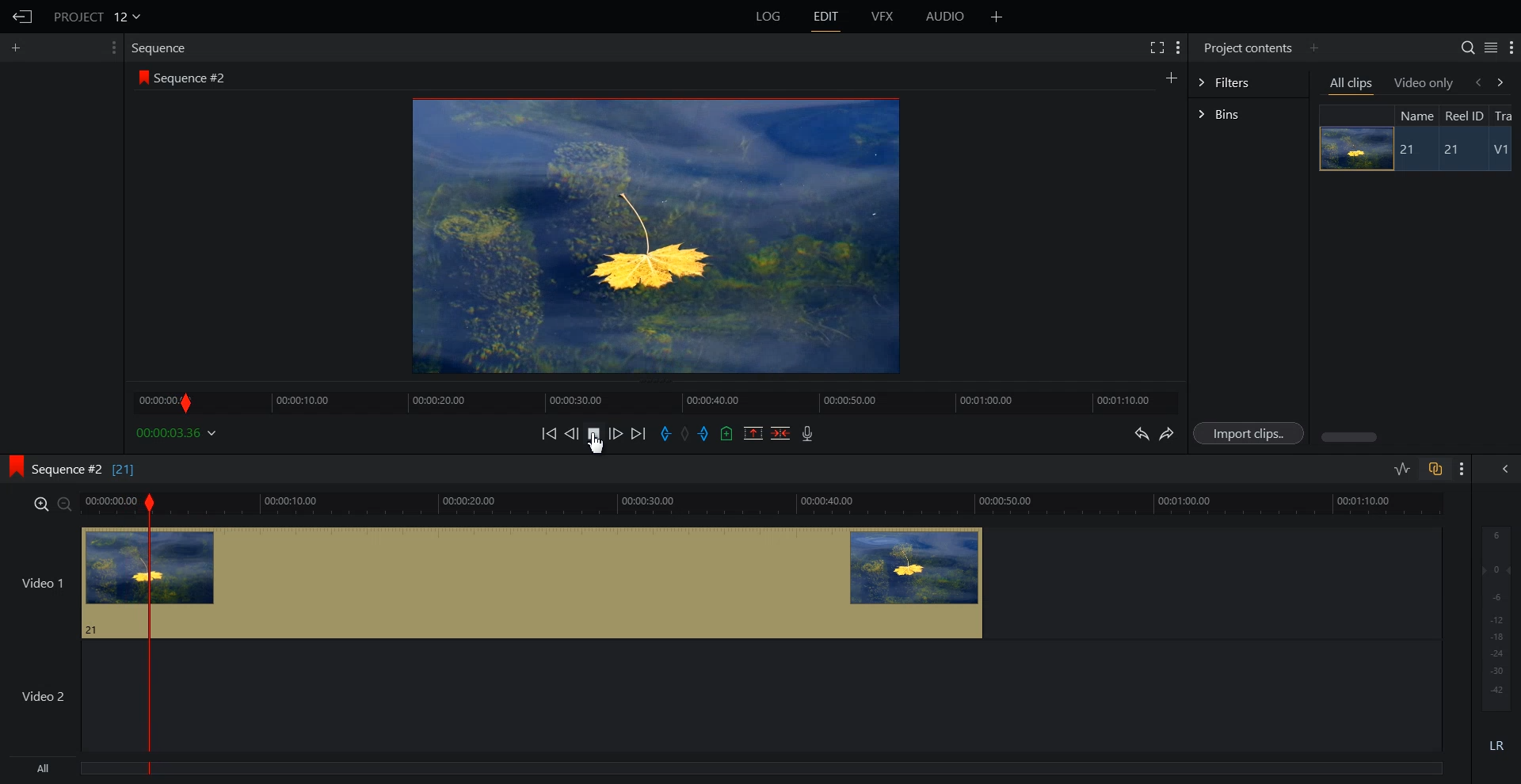 This screenshot has height=784, width=1521. What do you see at coordinates (1497, 743) in the screenshot?
I see `LR` at bounding box center [1497, 743].